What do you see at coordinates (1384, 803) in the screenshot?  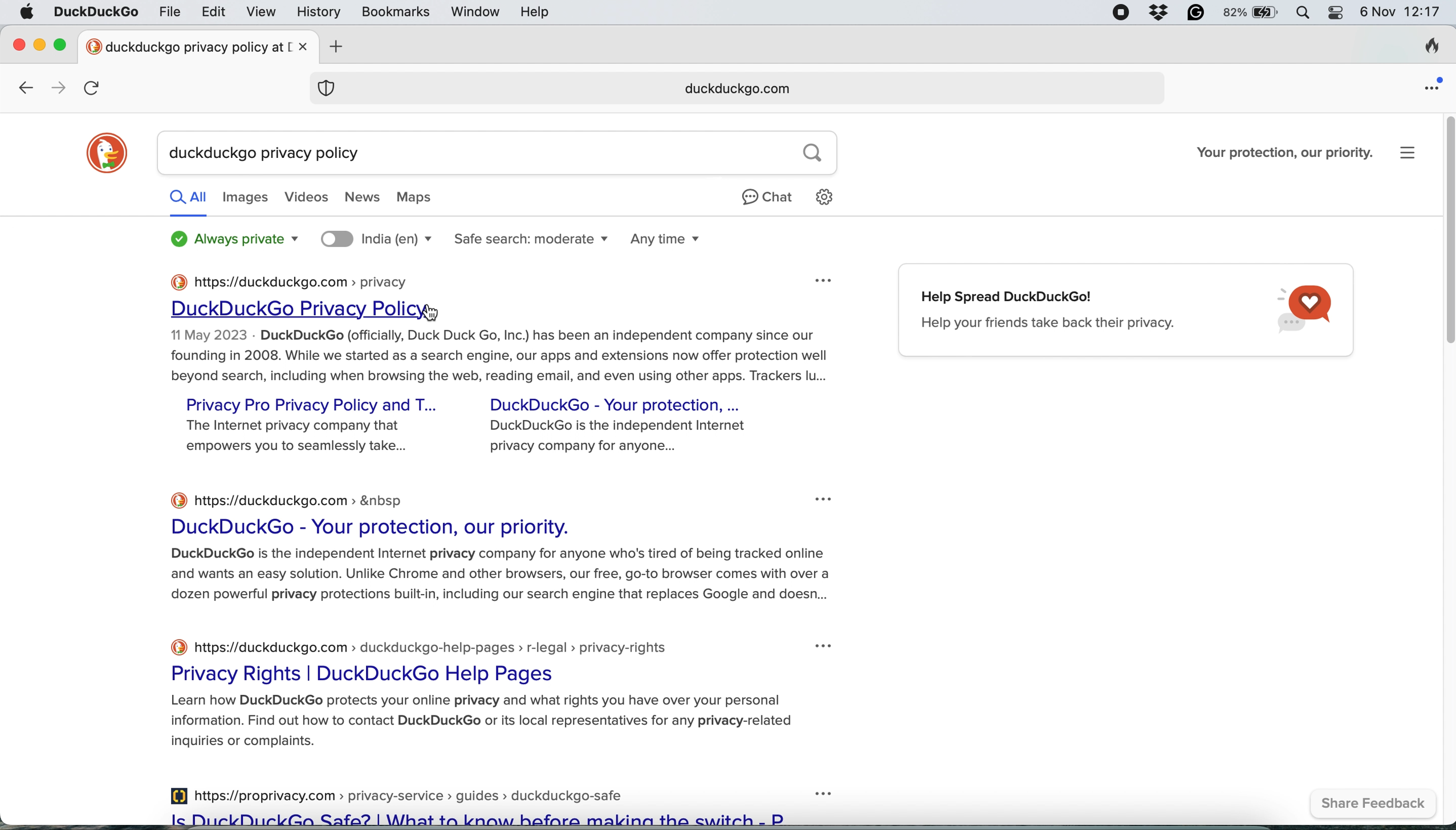 I see `share feedbac` at bounding box center [1384, 803].